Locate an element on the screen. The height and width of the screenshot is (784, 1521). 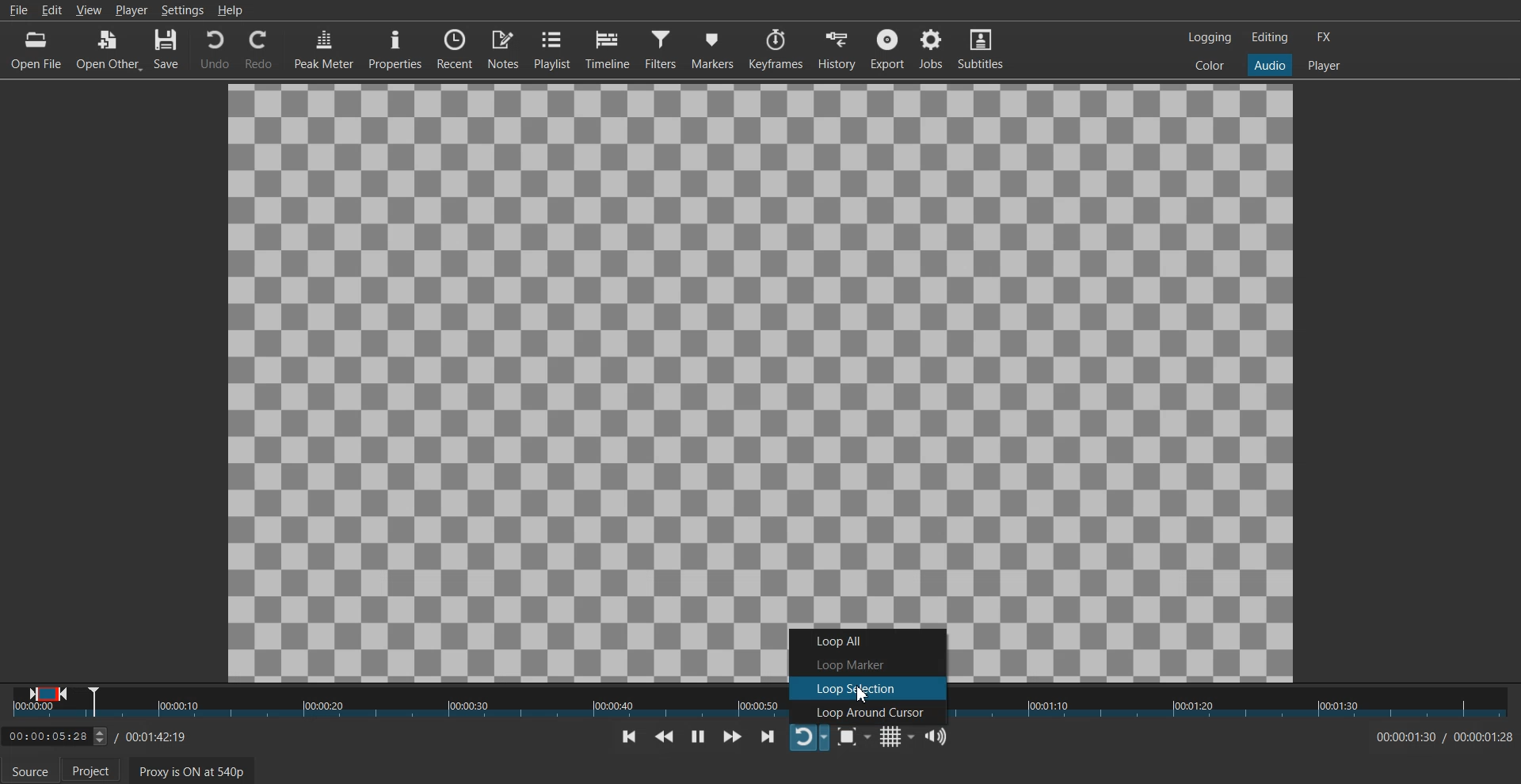
FX is located at coordinates (1325, 36).